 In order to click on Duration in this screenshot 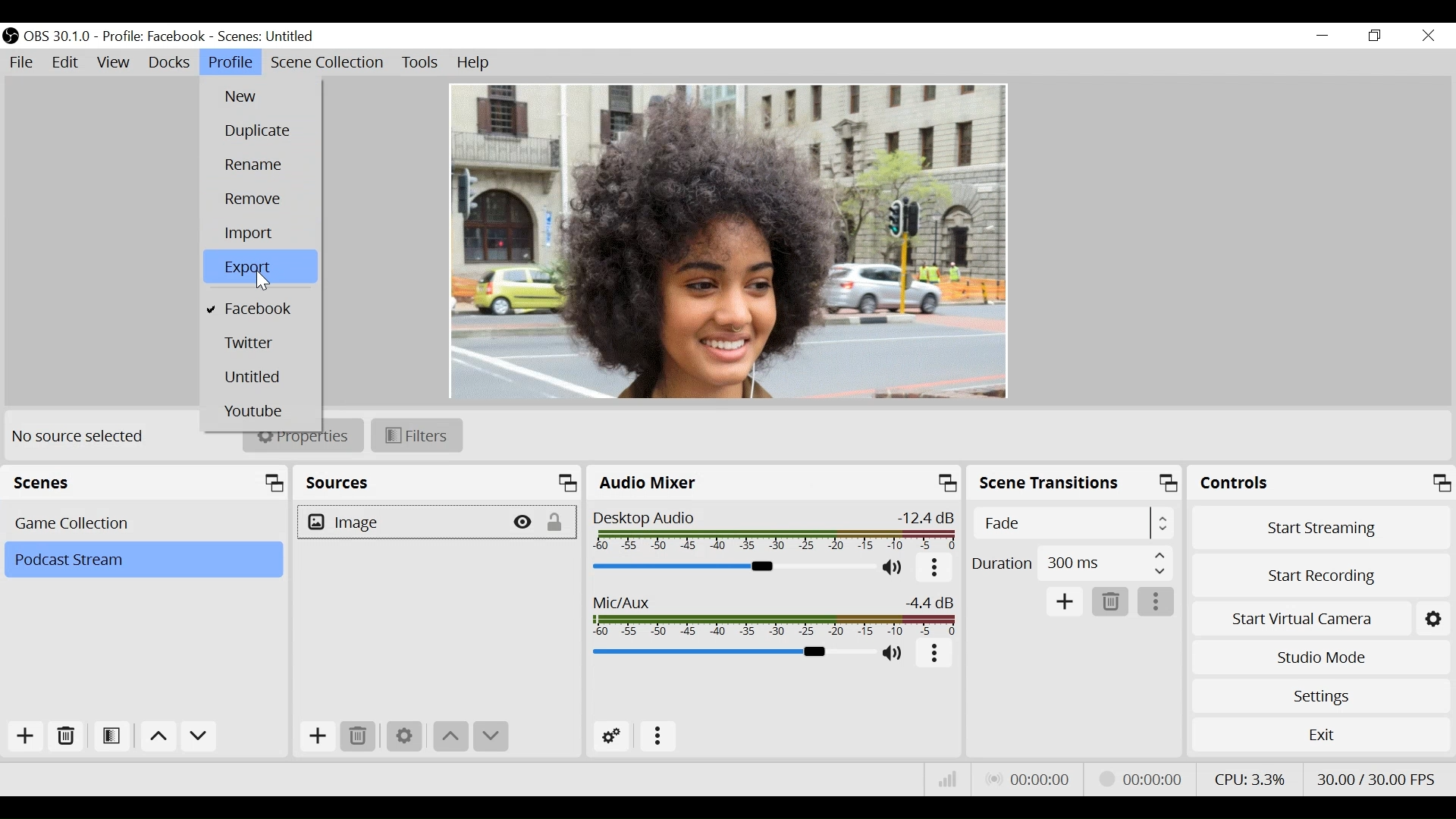, I will do `click(1072, 566)`.